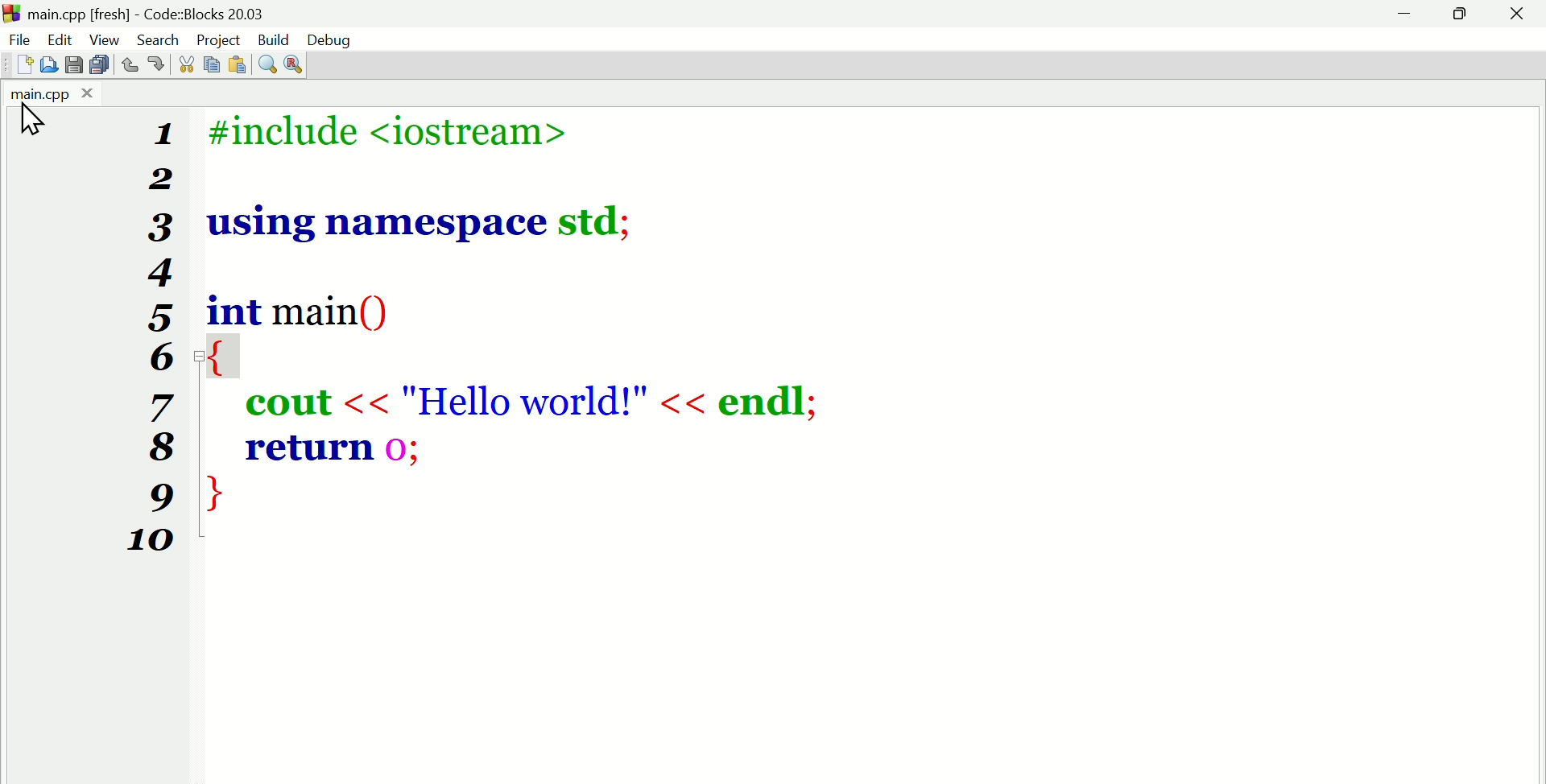 This screenshot has width=1546, height=784. I want to click on View, so click(107, 39).